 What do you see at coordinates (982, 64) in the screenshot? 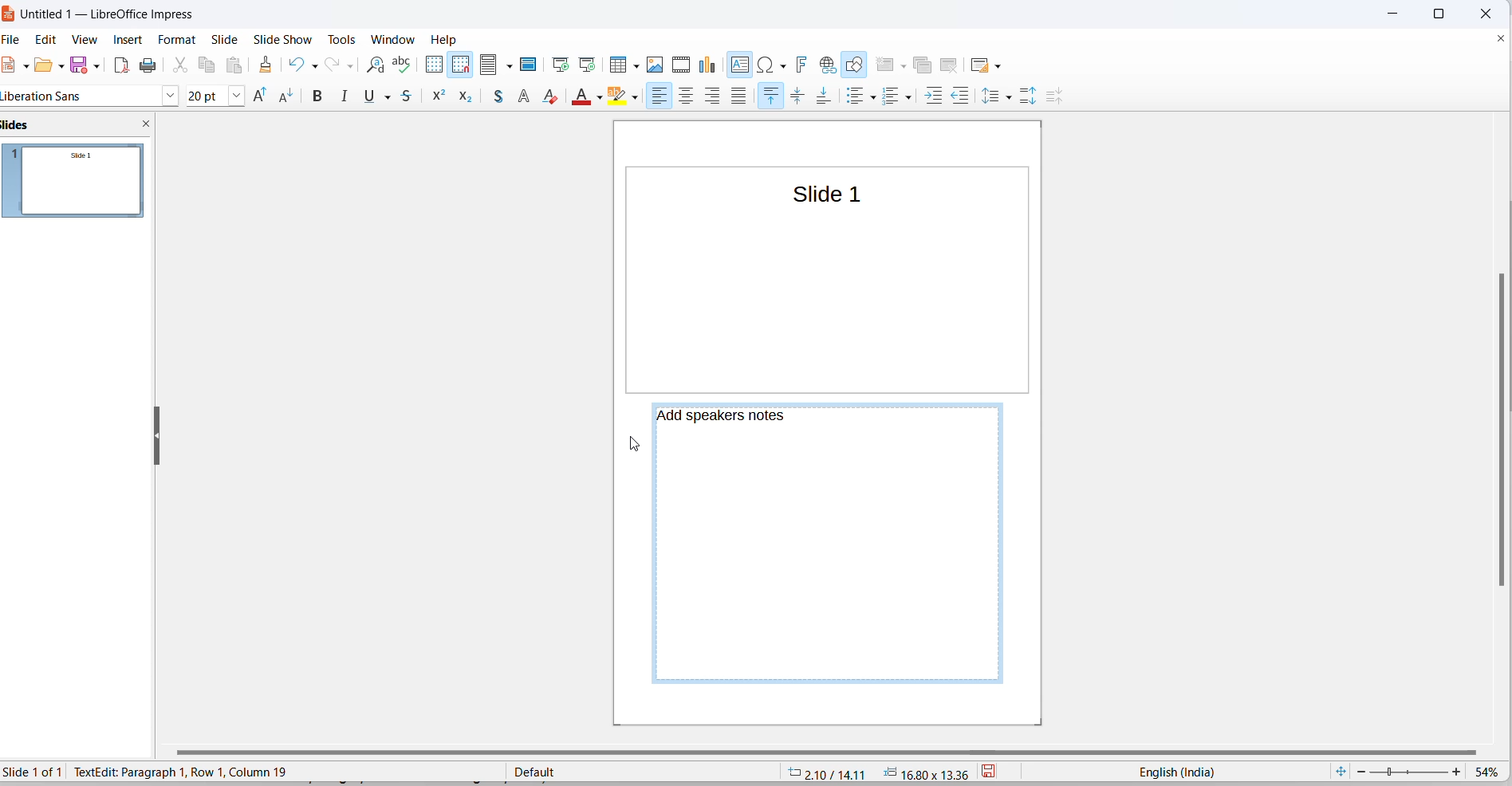
I see `slide layout` at bounding box center [982, 64].